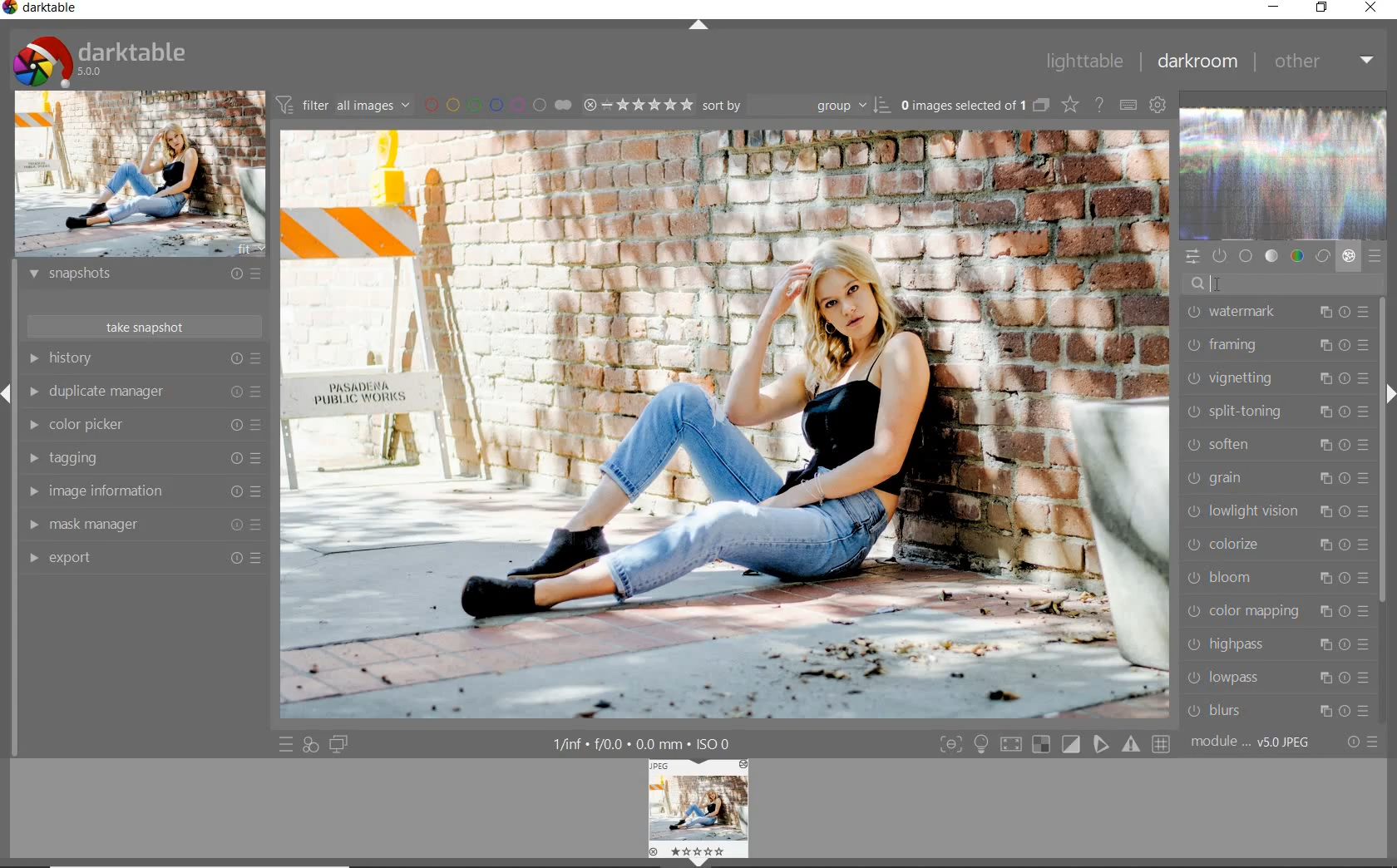 Image resolution: width=1397 pixels, height=868 pixels. Describe the element at coordinates (101, 60) in the screenshot. I see `system logo` at that location.